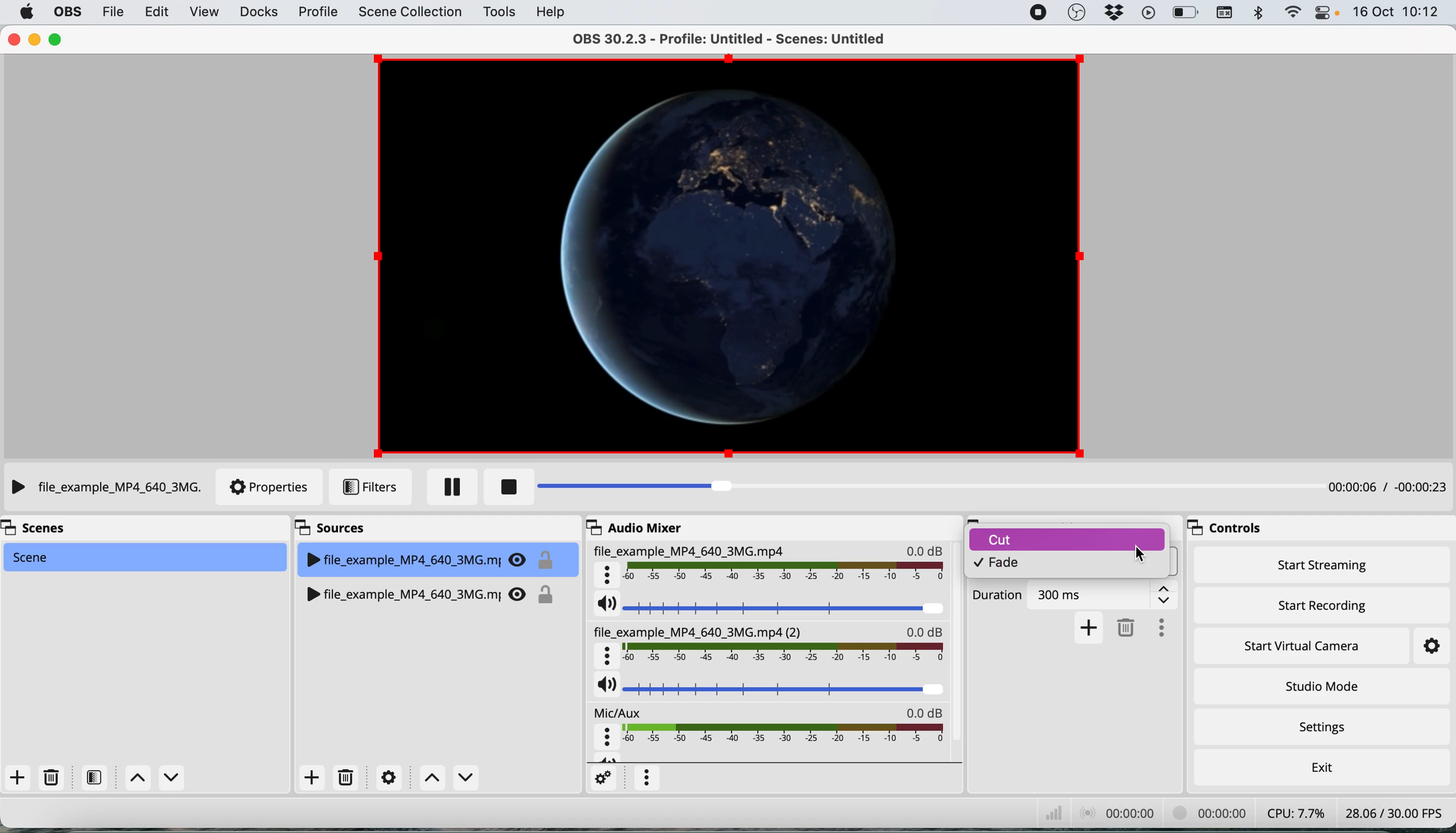 This screenshot has height=833, width=1456. What do you see at coordinates (1071, 594) in the screenshot?
I see `Duration 300ms` at bounding box center [1071, 594].